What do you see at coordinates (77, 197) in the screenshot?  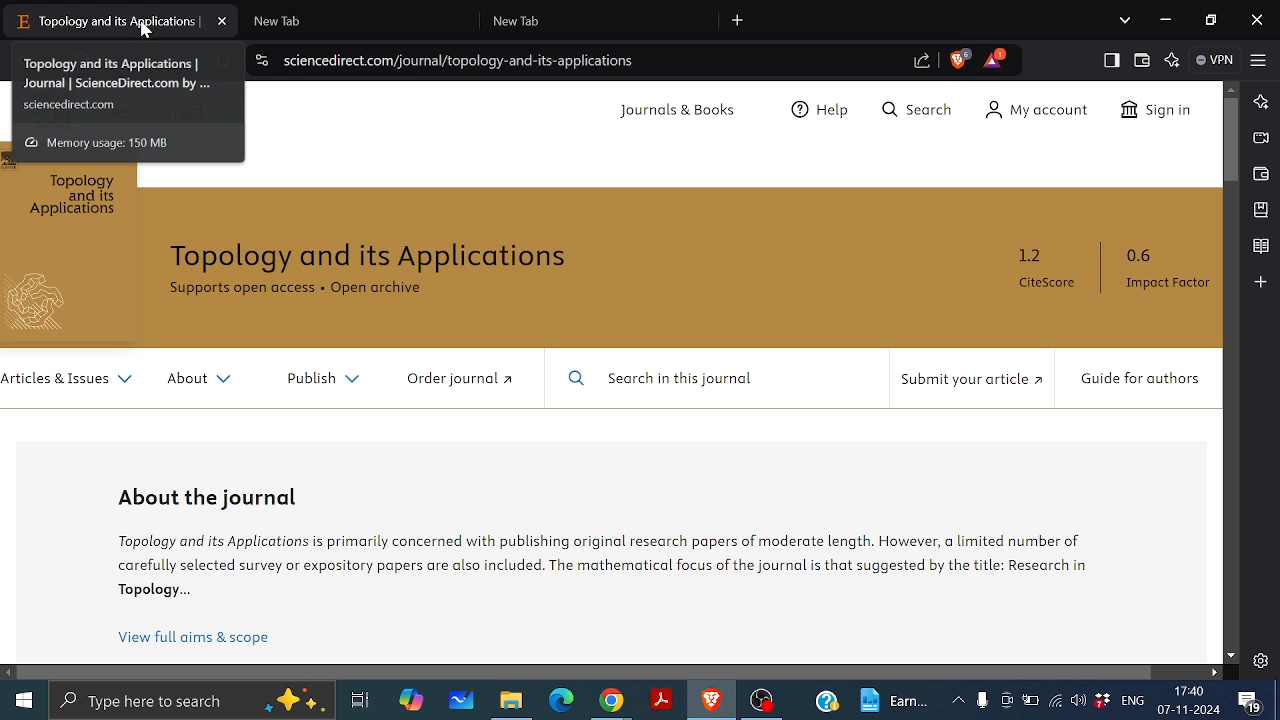 I see `Topology
“and its
Applications.` at bounding box center [77, 197].